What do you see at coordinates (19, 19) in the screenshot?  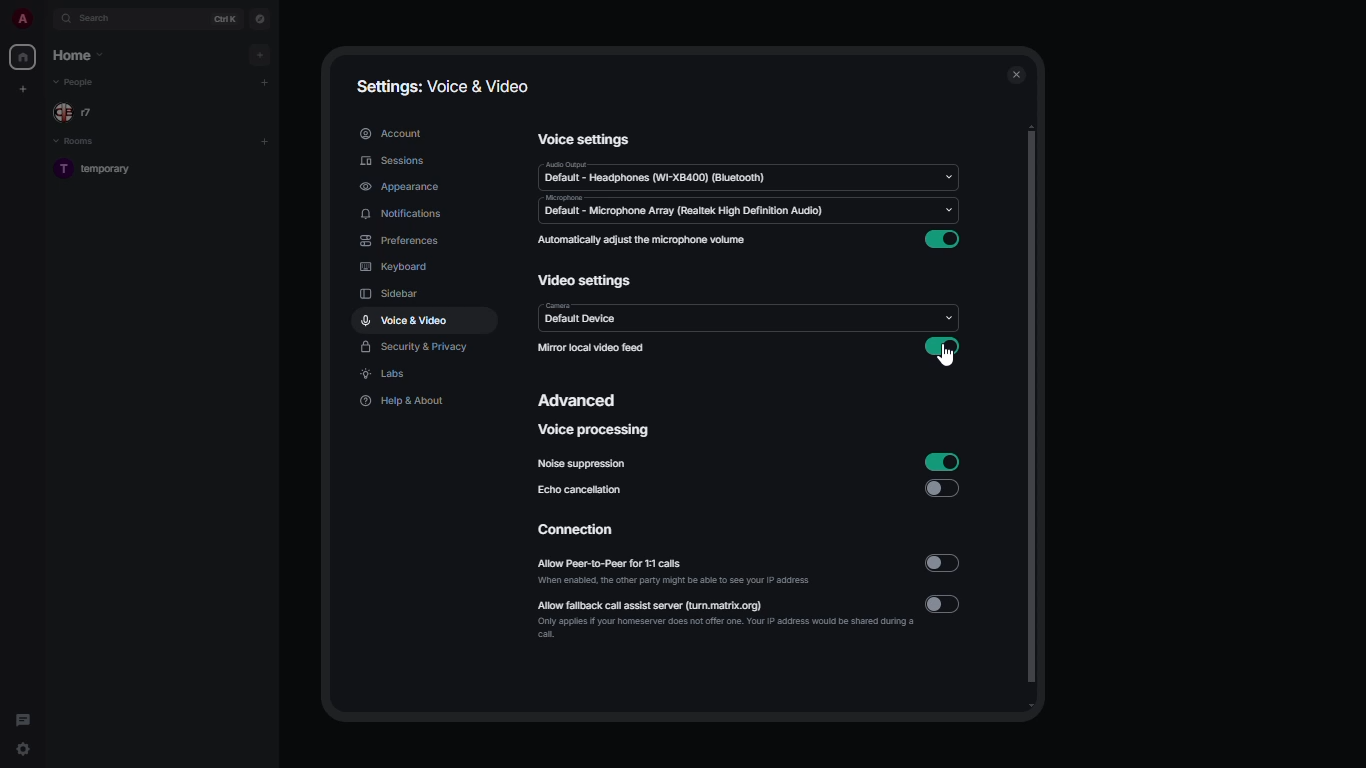 I see `profile` at bounding box center [19, 19].